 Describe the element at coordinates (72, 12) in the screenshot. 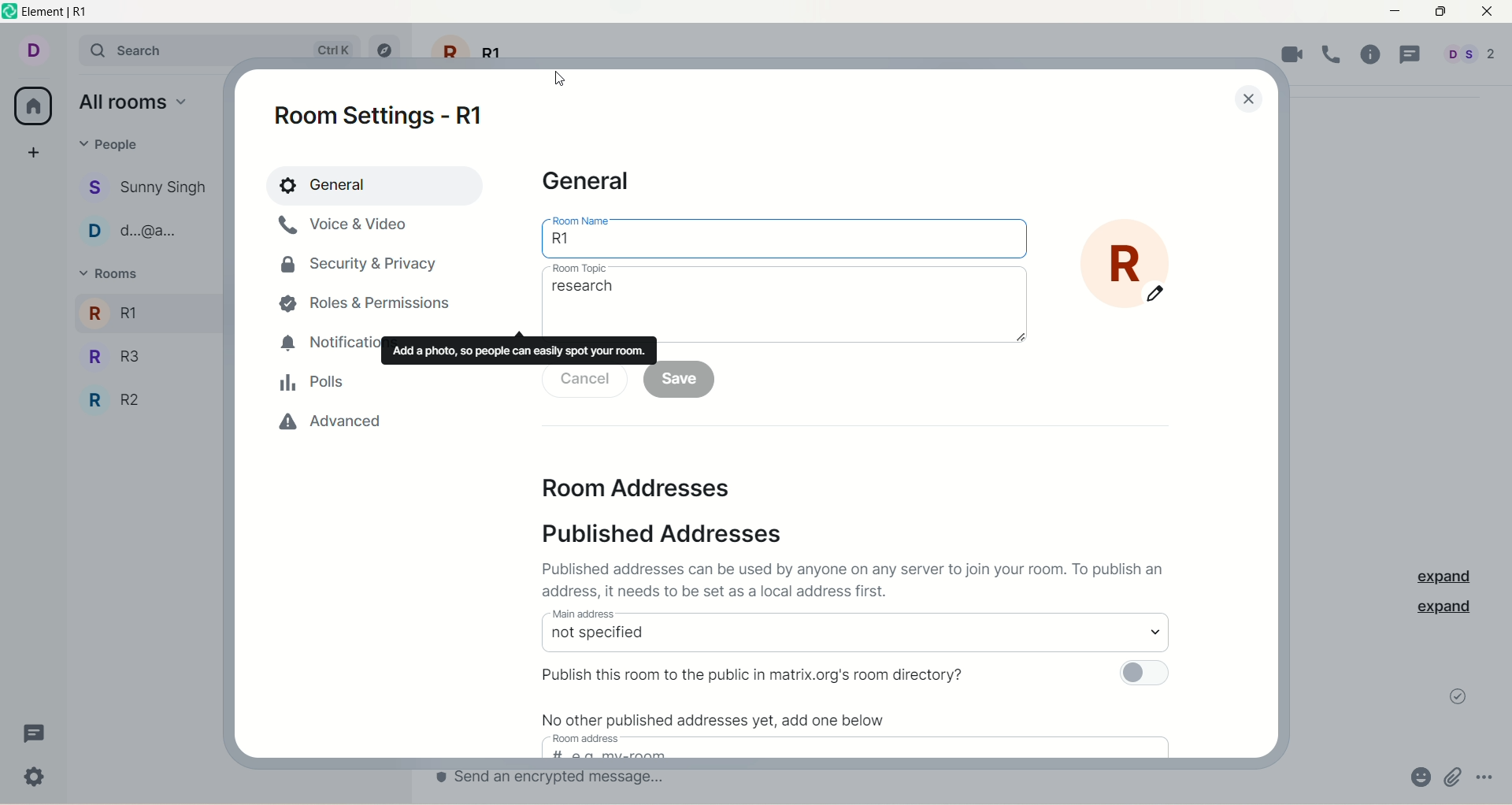

I see `element` at that location.